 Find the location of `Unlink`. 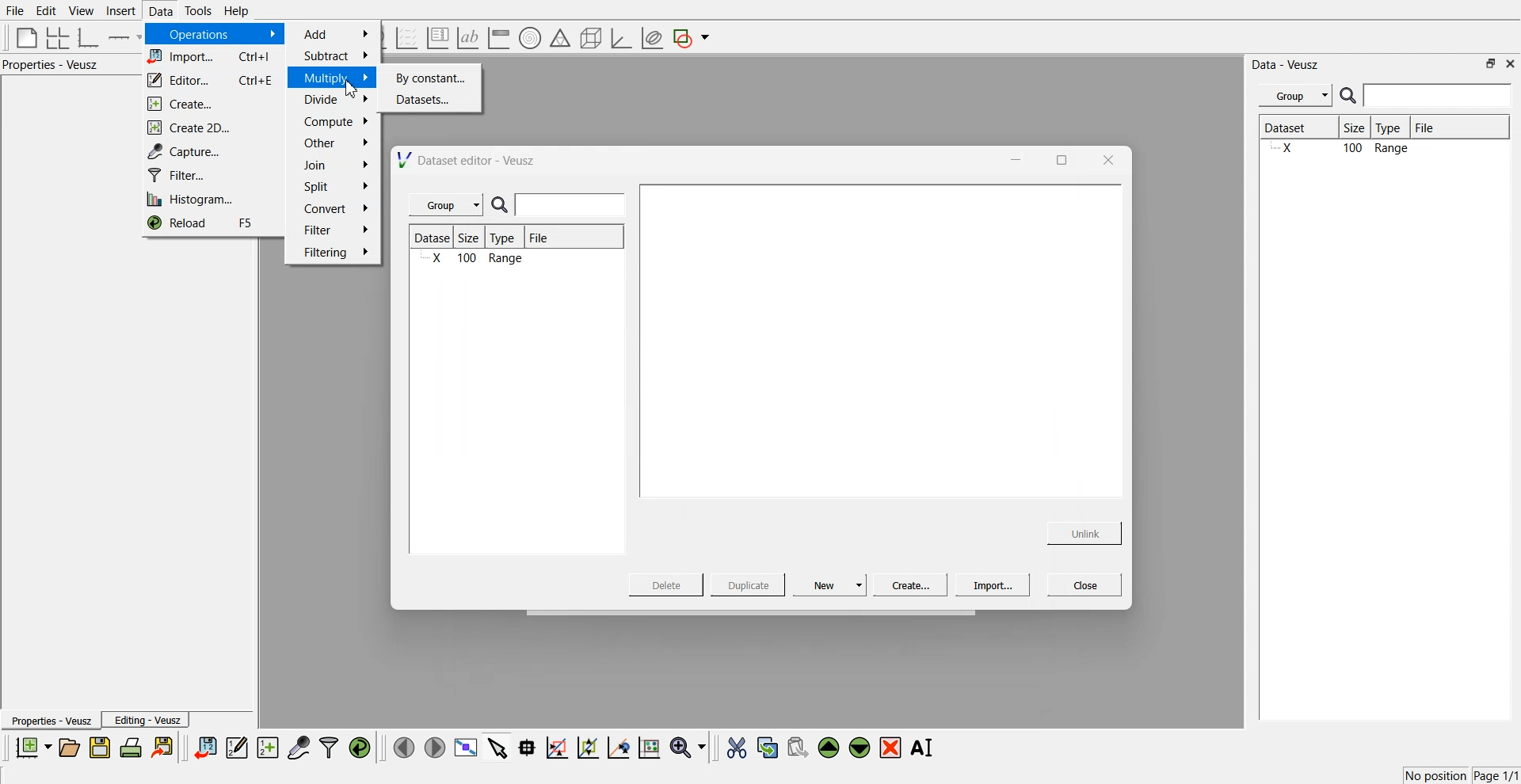

Unlink is located at coordinates (1085, 531).